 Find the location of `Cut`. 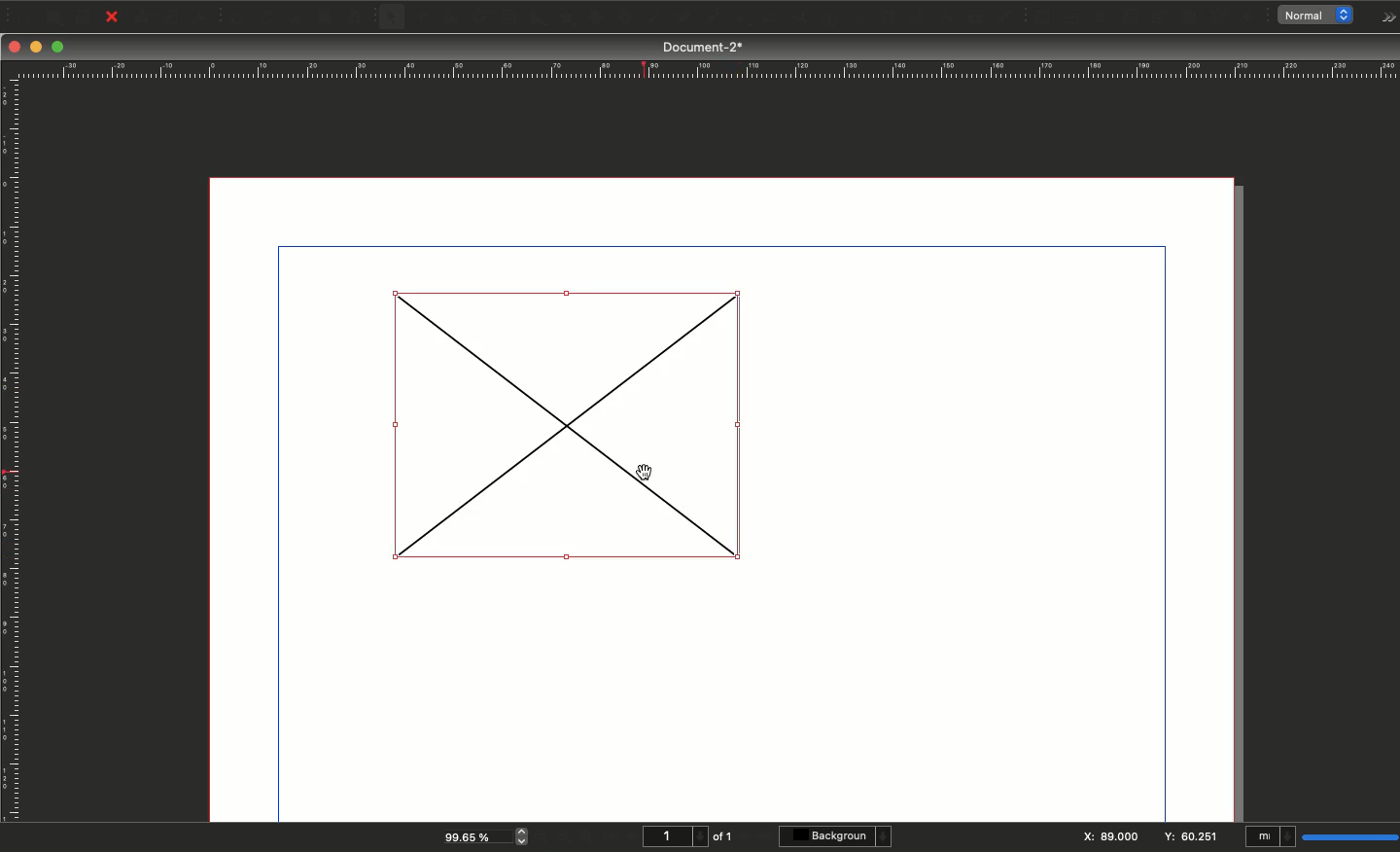

Cut is located at coordinates (296, 18).